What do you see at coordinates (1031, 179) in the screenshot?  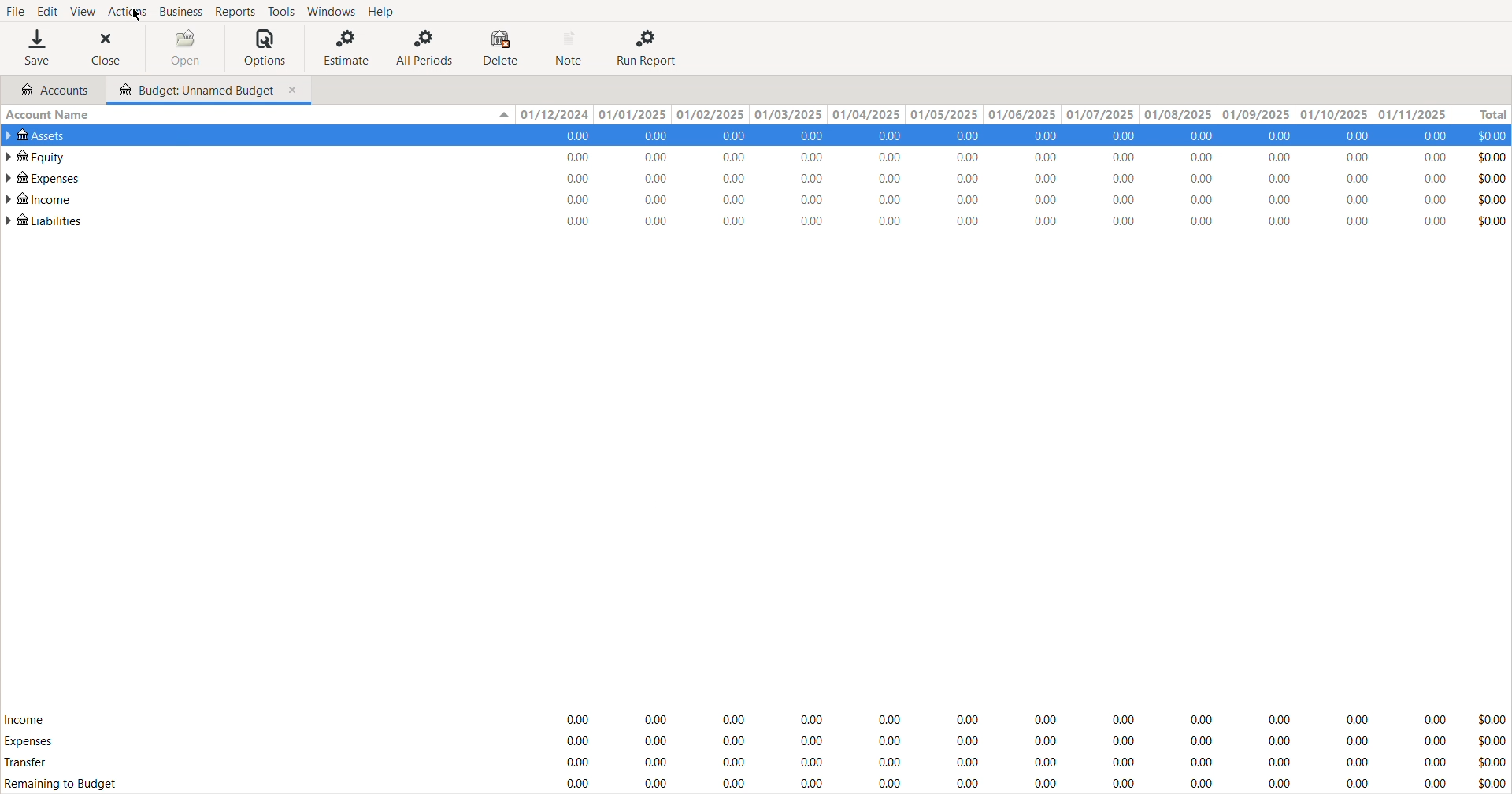 I see `Values` at bounding box center [1031, 179].